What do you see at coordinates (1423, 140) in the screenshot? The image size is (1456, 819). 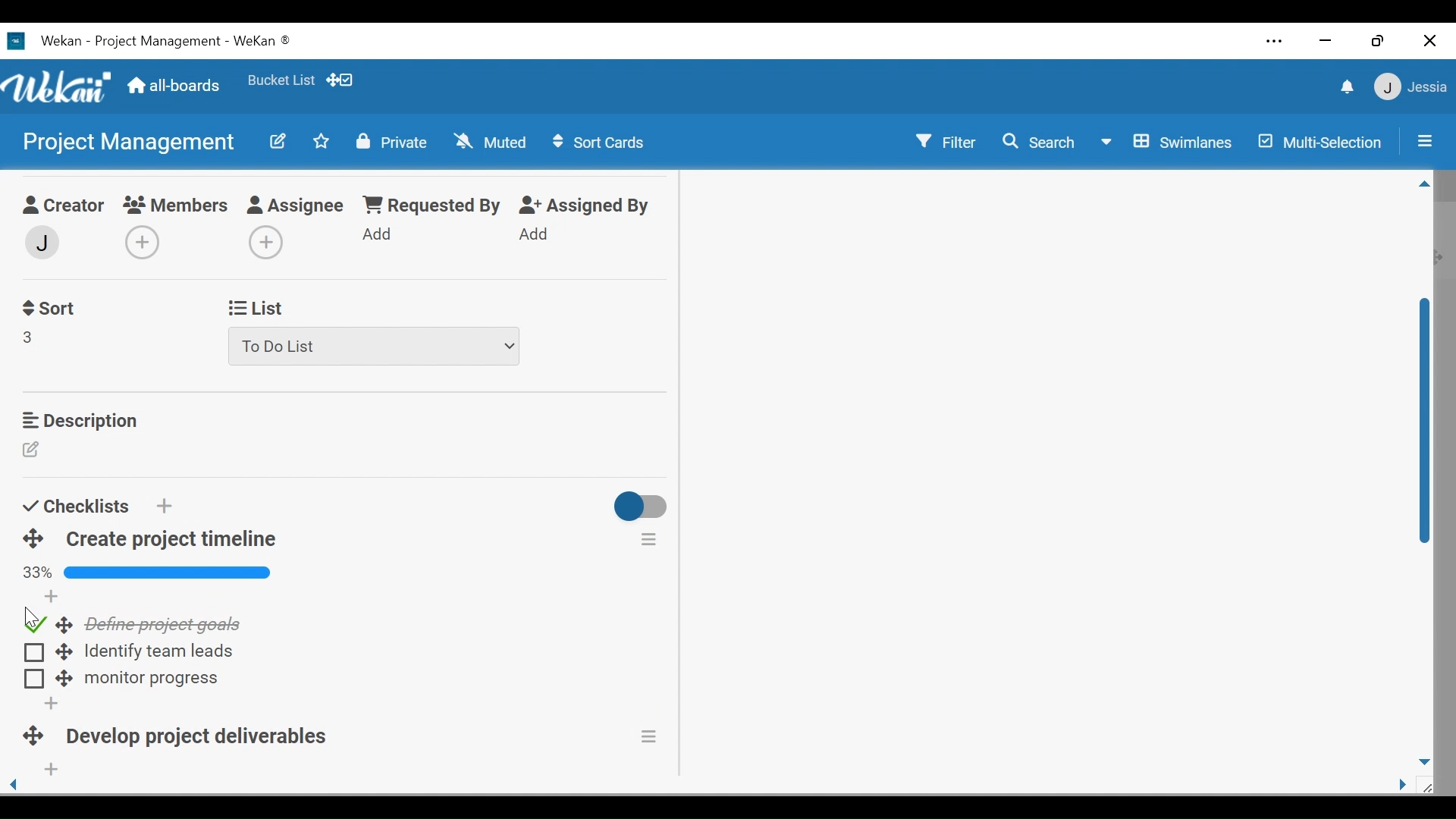 I see `Open/Close Sidebar` at bounding box center [1423, 140].